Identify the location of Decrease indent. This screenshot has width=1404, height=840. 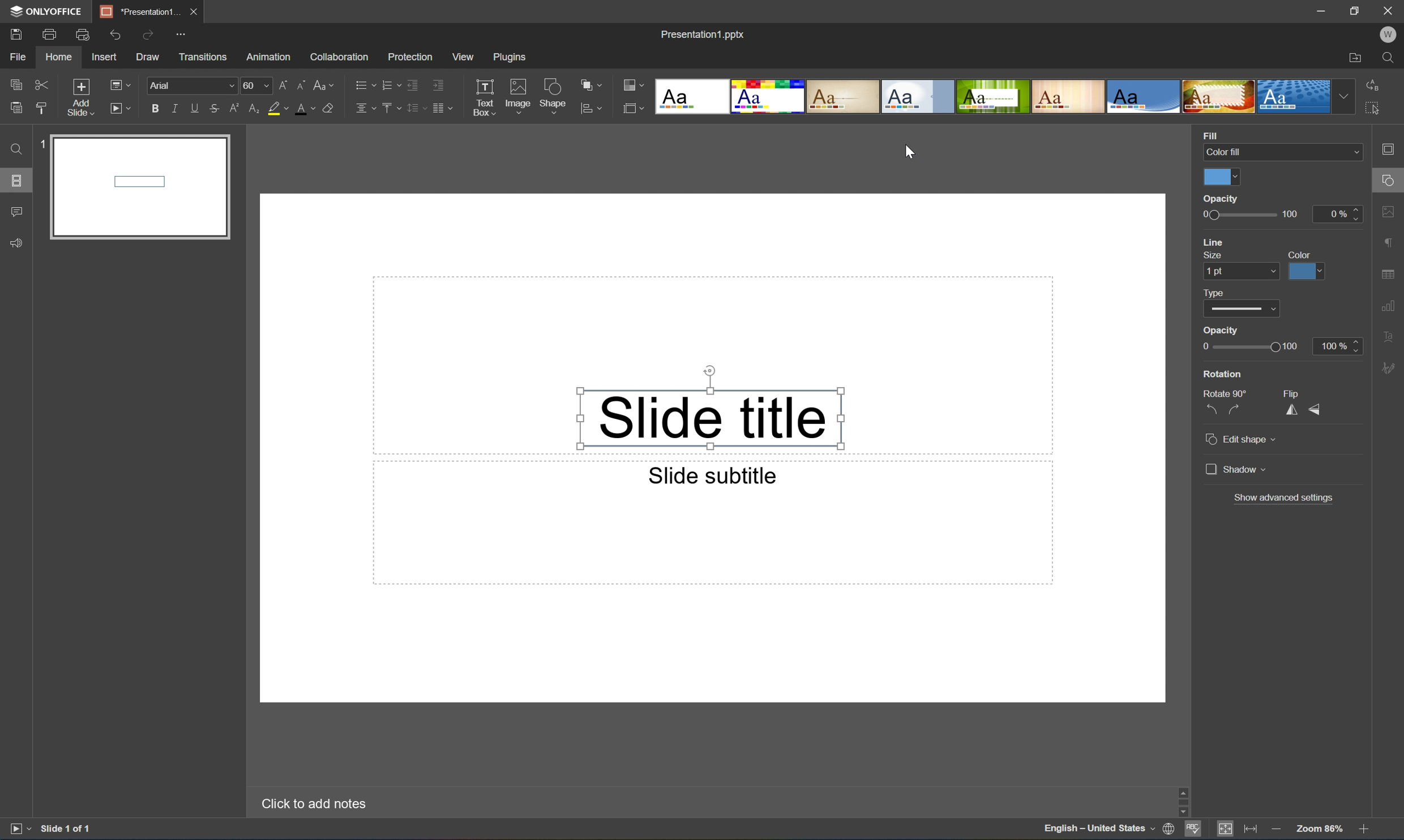
(413, 83).